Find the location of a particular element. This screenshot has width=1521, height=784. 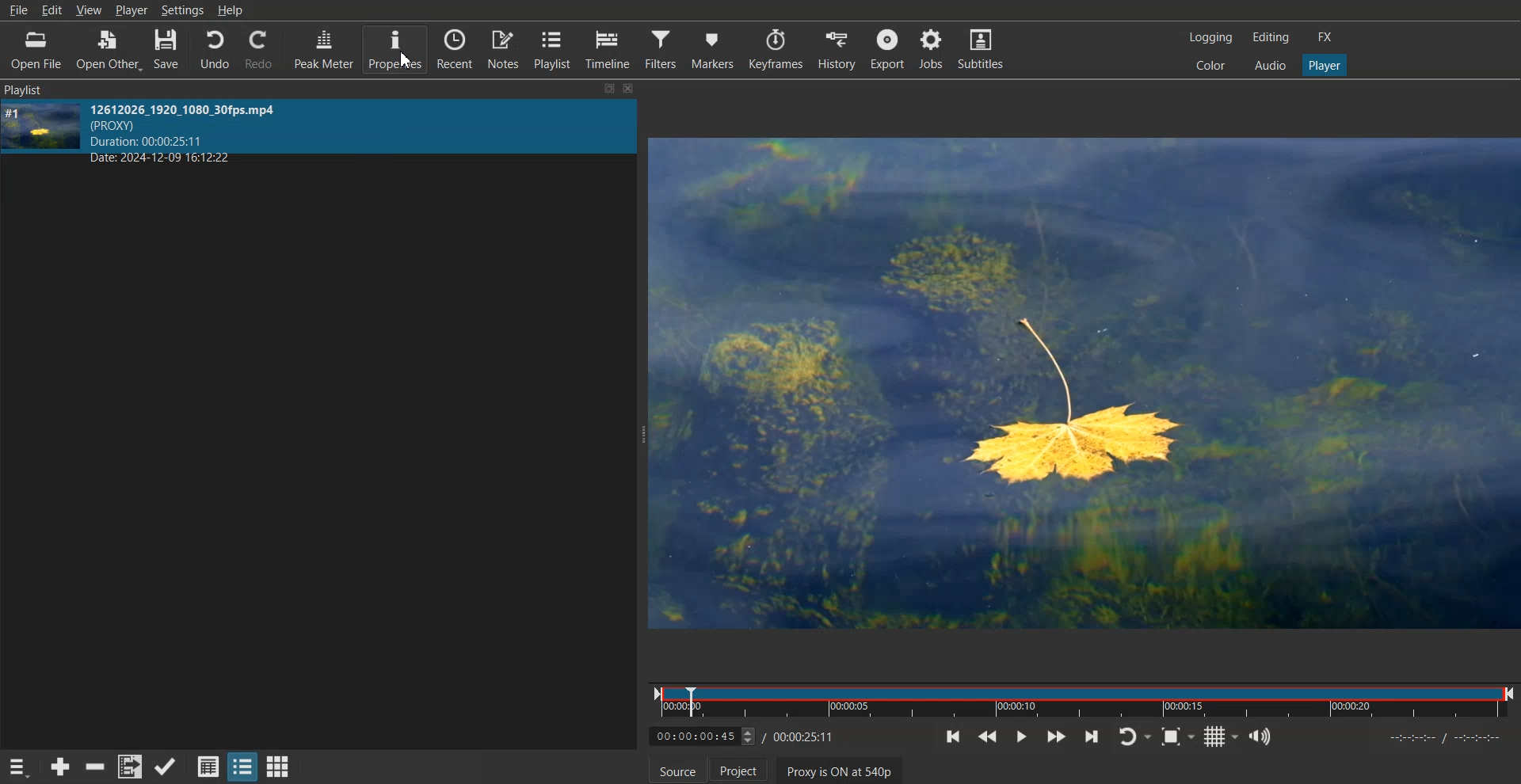

Redo is located at coordinates (262, 48).